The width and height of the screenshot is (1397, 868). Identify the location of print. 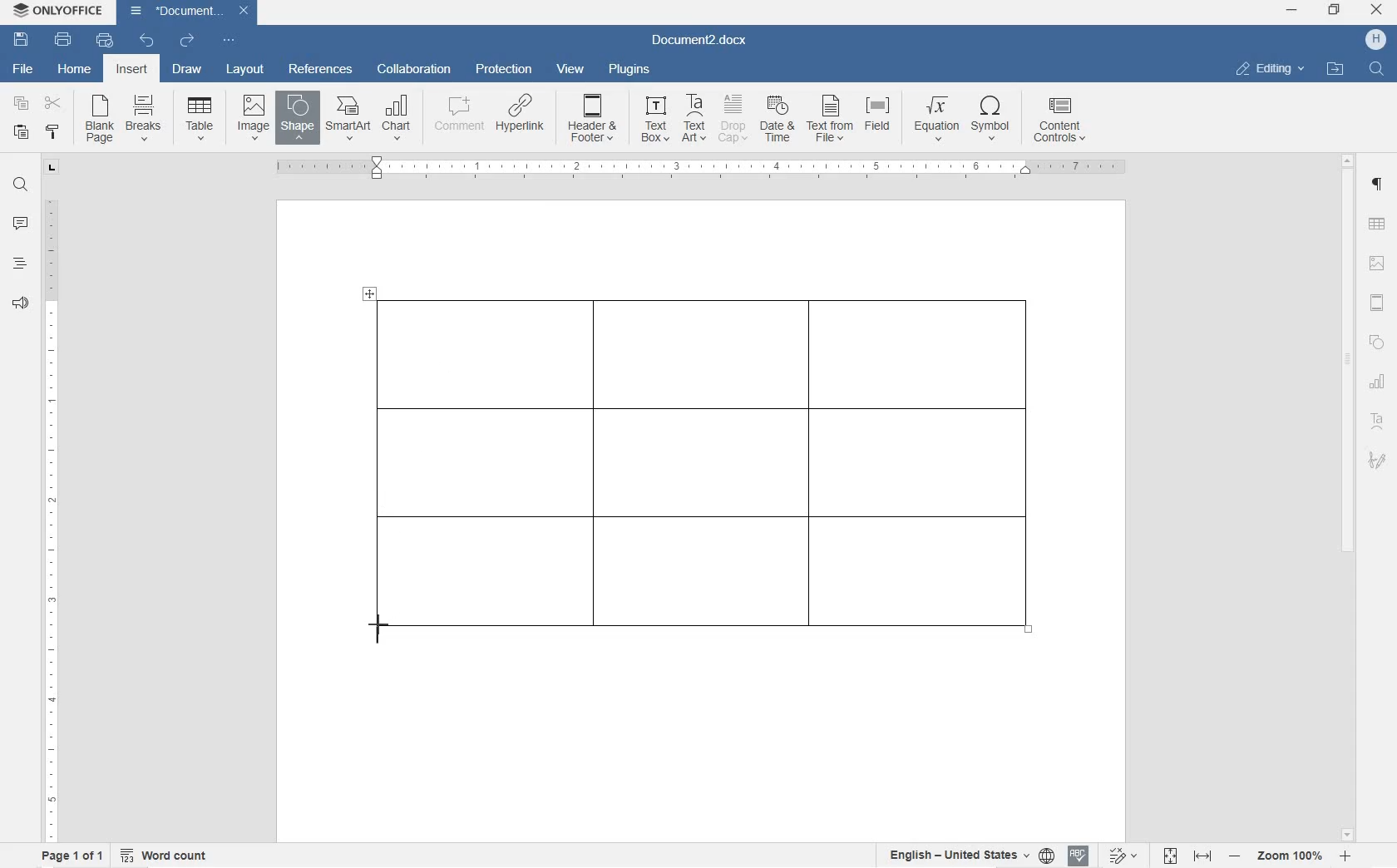
(64, 39).